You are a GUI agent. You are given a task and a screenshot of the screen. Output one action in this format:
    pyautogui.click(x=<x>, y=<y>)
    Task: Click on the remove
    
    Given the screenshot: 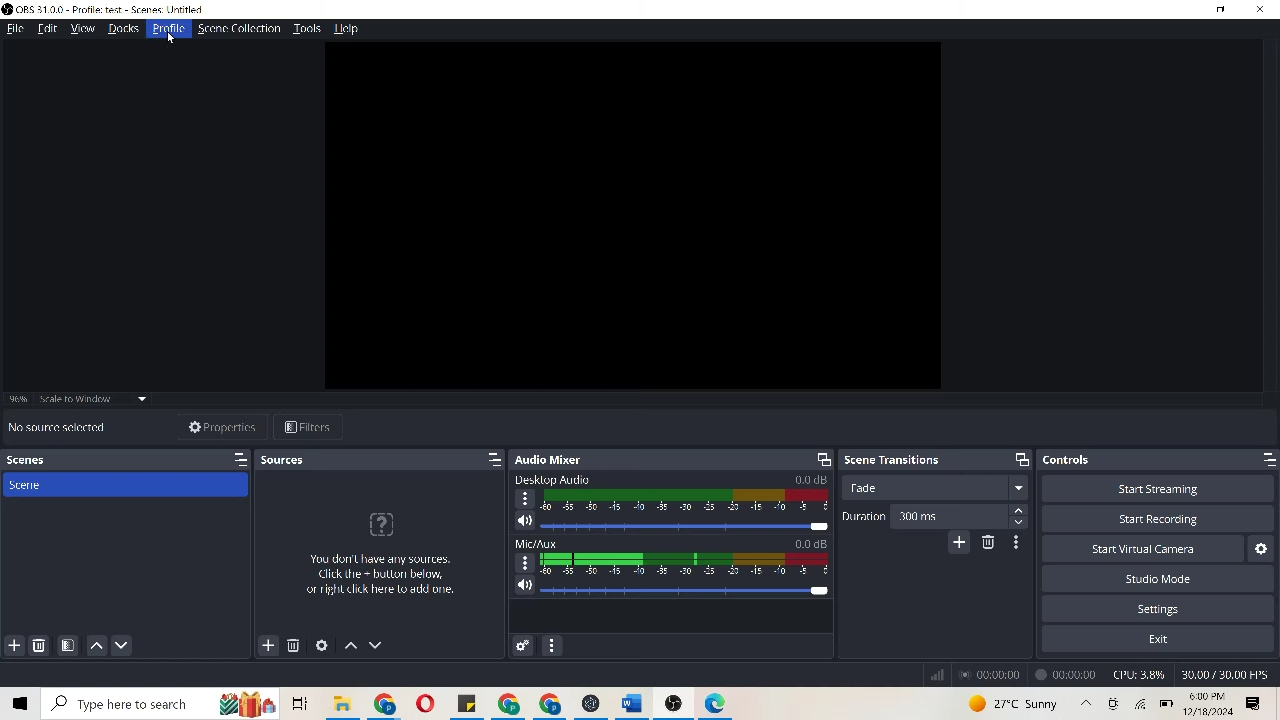 What is the action you would take?
    pyautogui.click(x=992, y=545)
    